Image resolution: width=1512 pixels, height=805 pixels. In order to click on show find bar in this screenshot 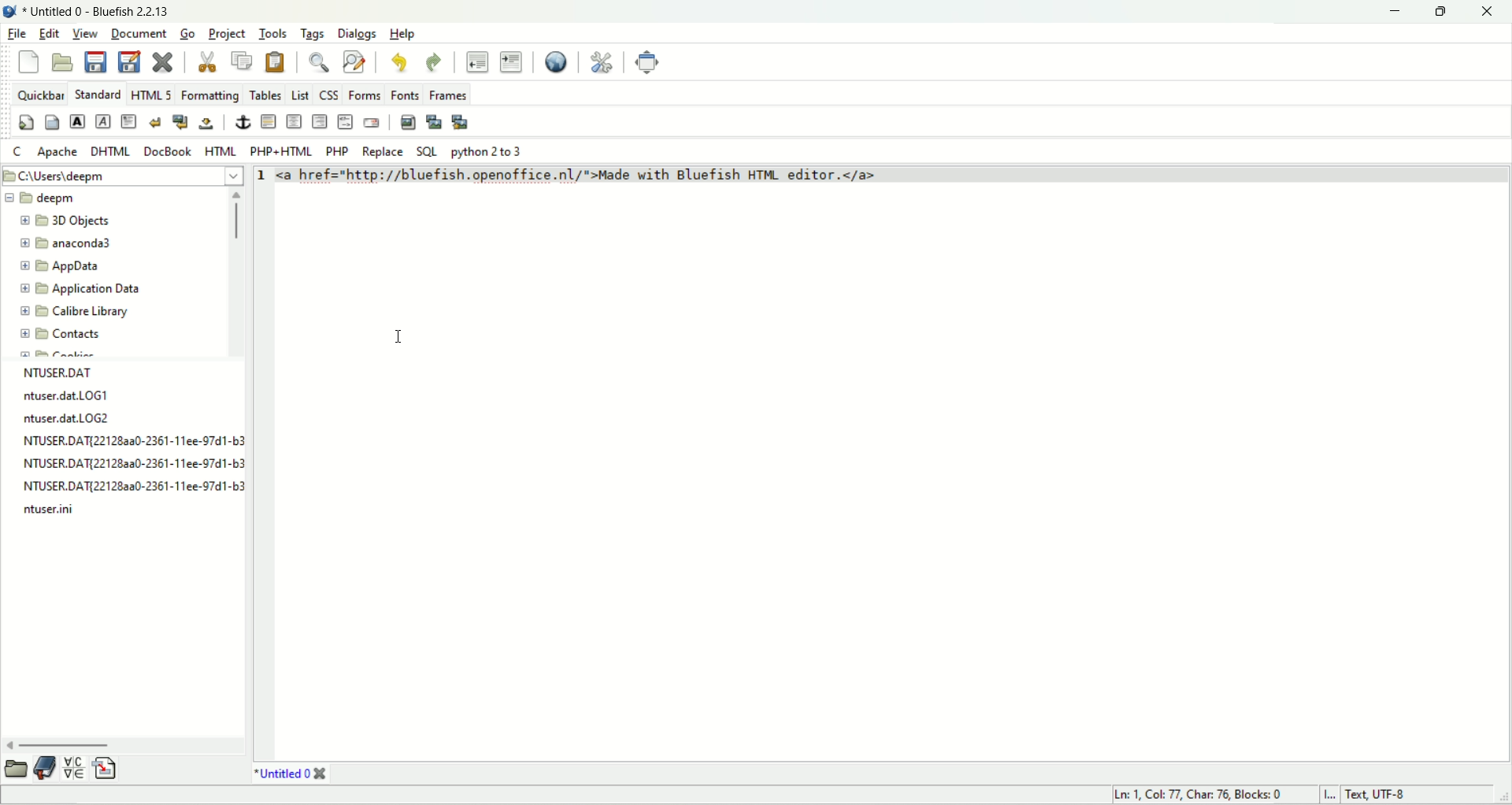, I will do `click(321, 62)`.